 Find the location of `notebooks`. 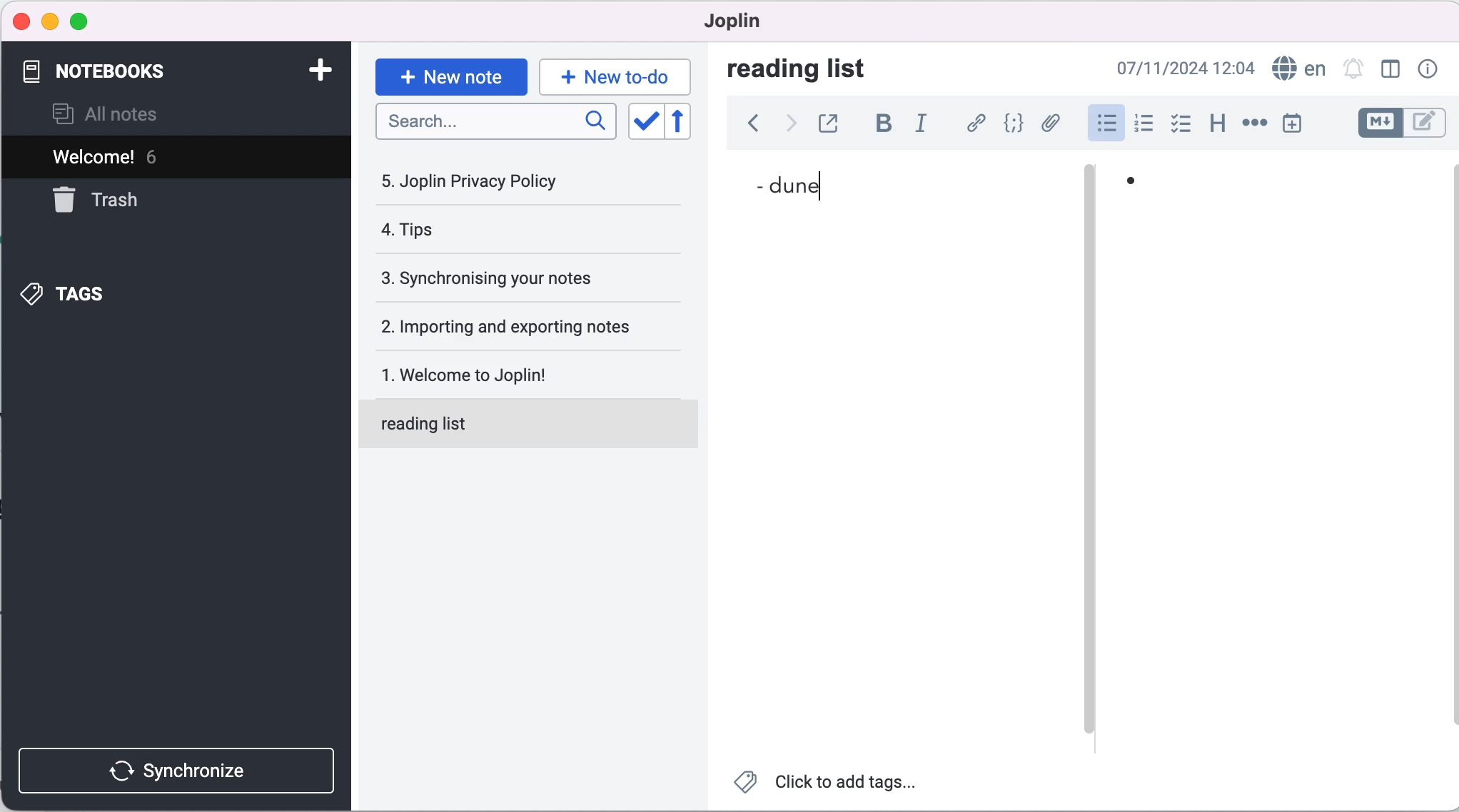

notebooks is located at coordinates (158, 71).